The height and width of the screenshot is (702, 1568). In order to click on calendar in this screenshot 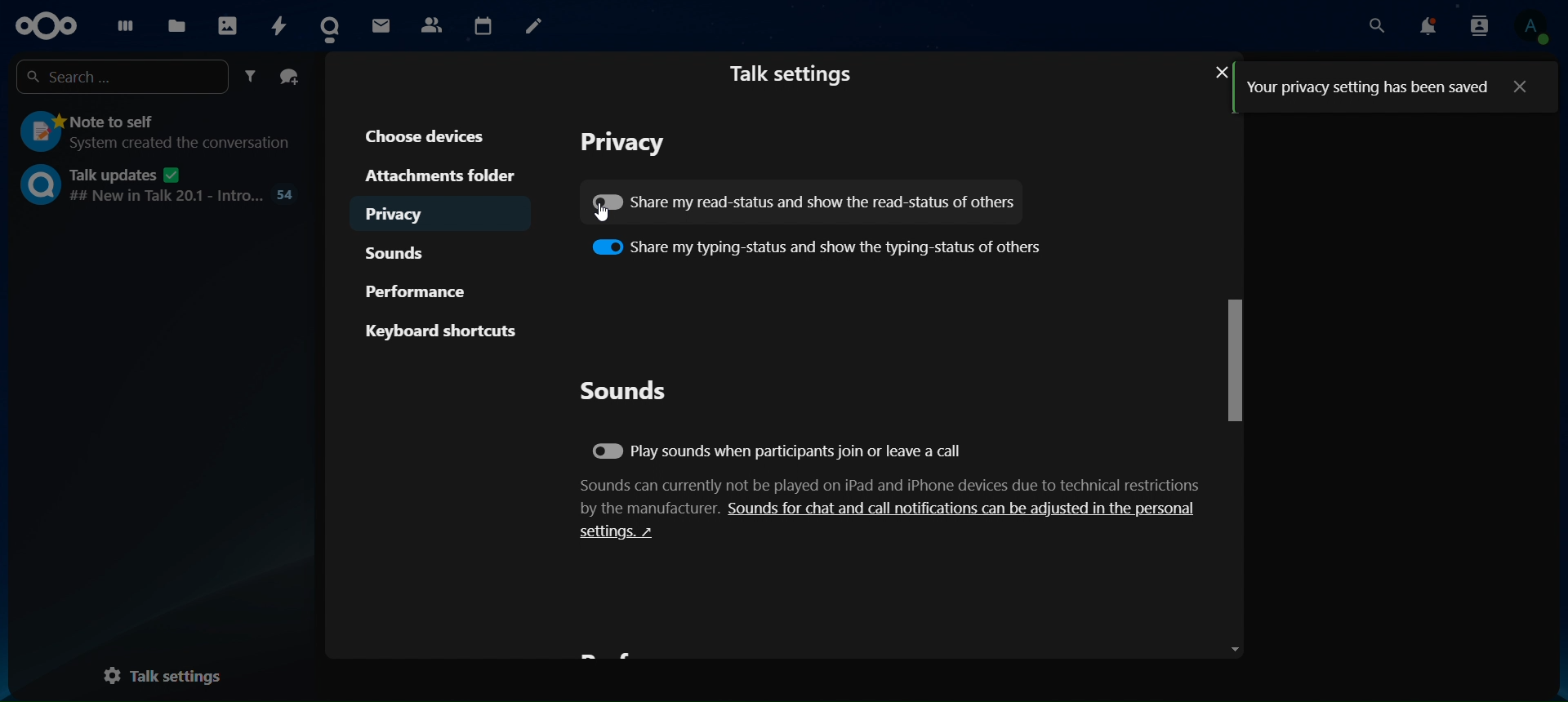, I will do `click(482, 23)`.